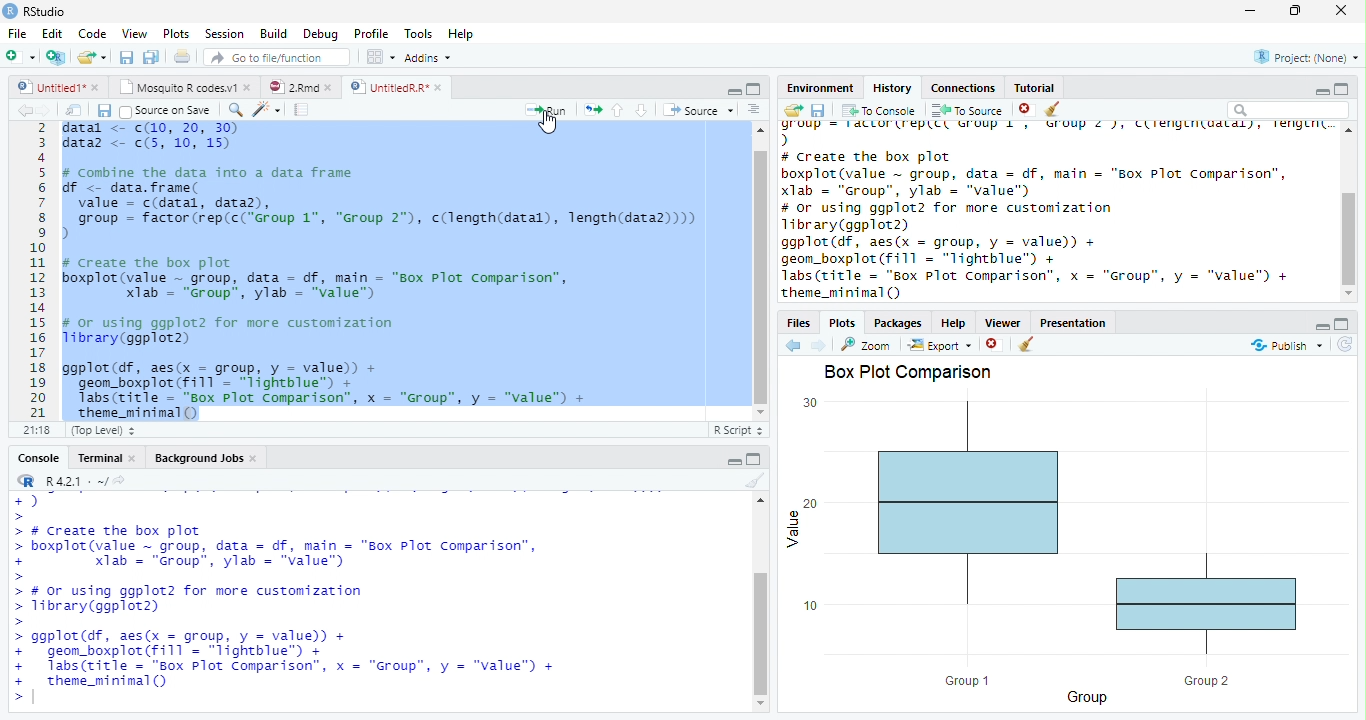 The height and width of the screenshot is (720, 1366). Describe the element at coordinates (1286, 345) in the screenshot. I see `Publish` at that location.